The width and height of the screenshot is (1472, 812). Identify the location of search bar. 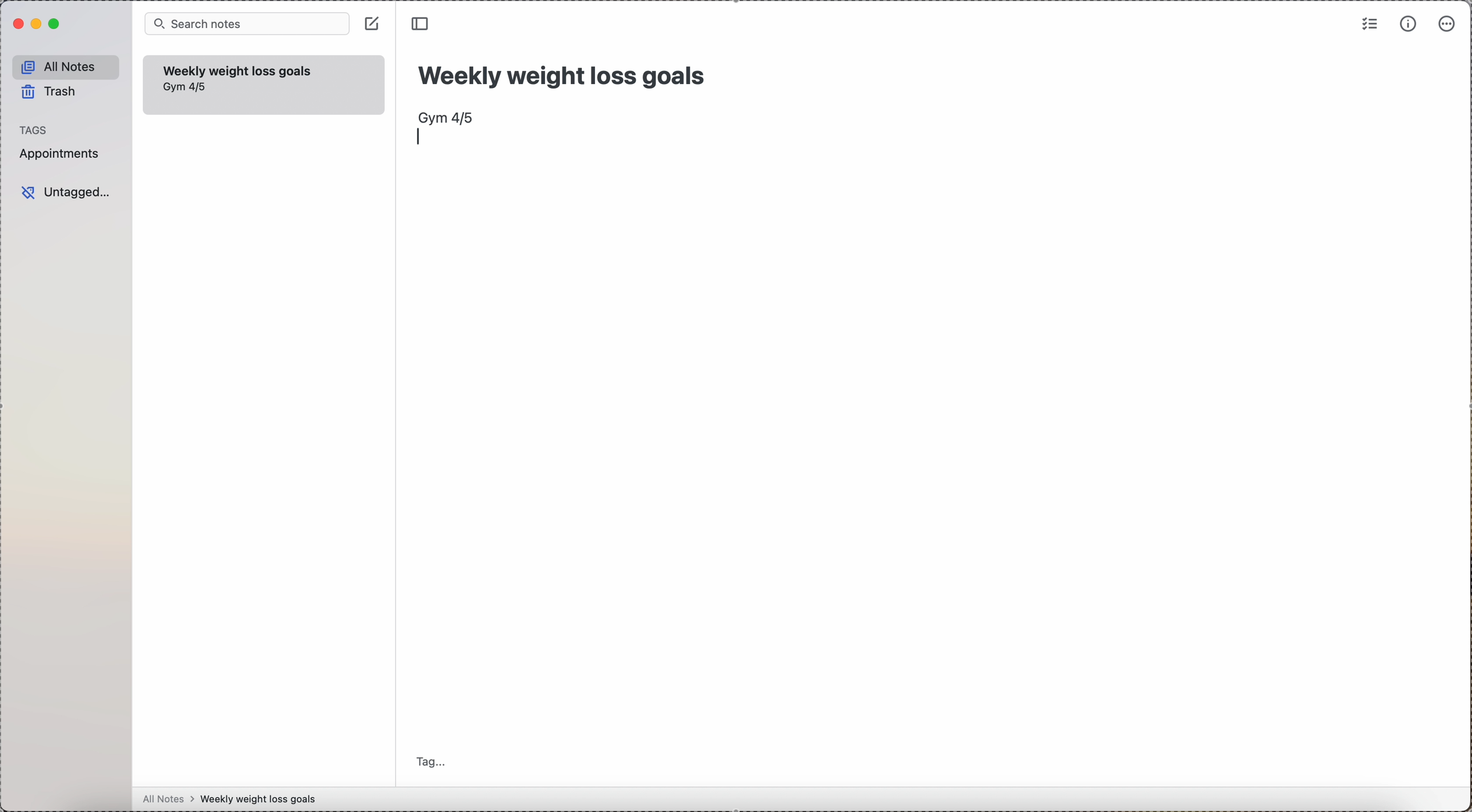
(247, 24).